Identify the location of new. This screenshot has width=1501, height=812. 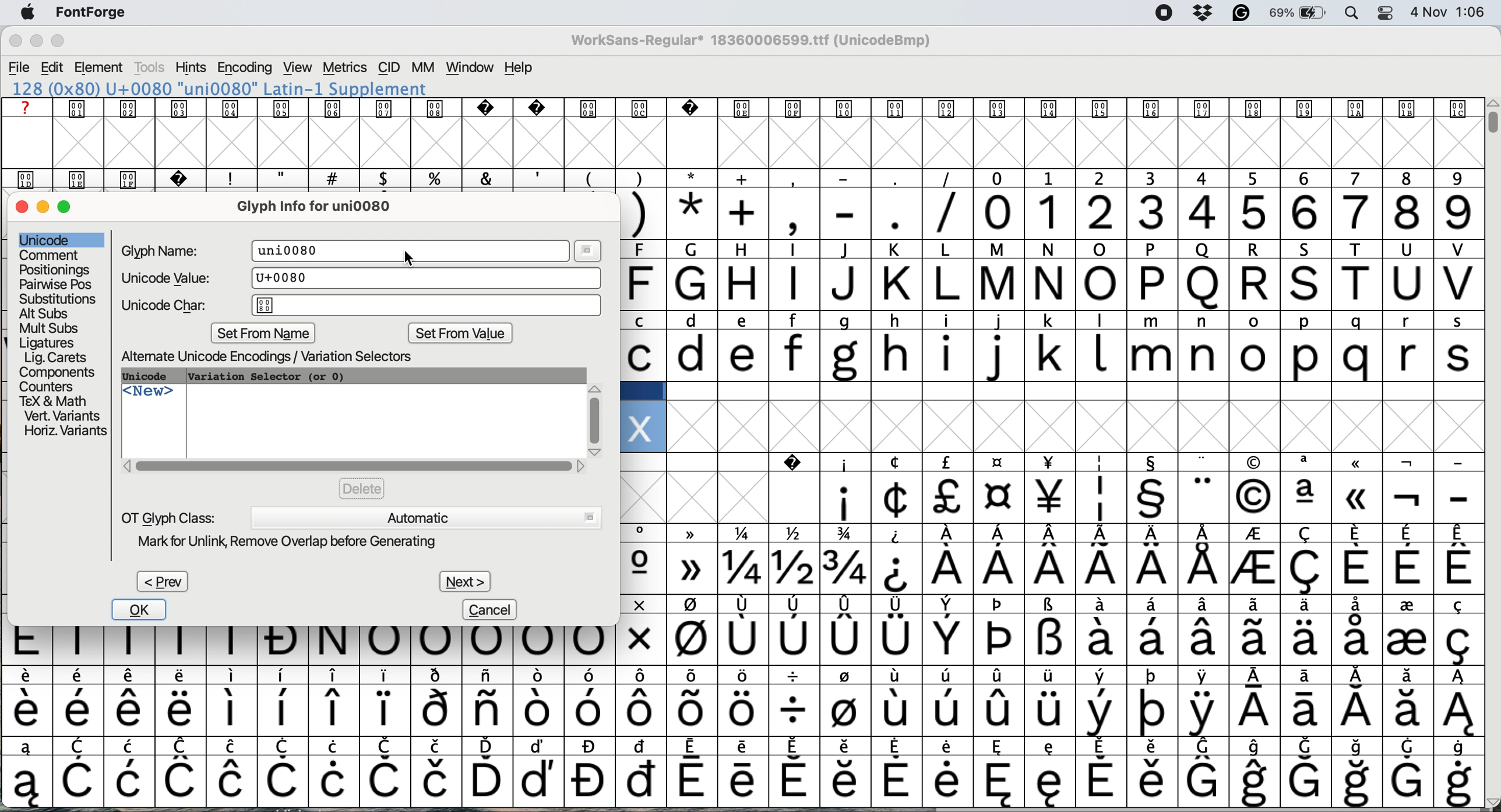
(149, 395).